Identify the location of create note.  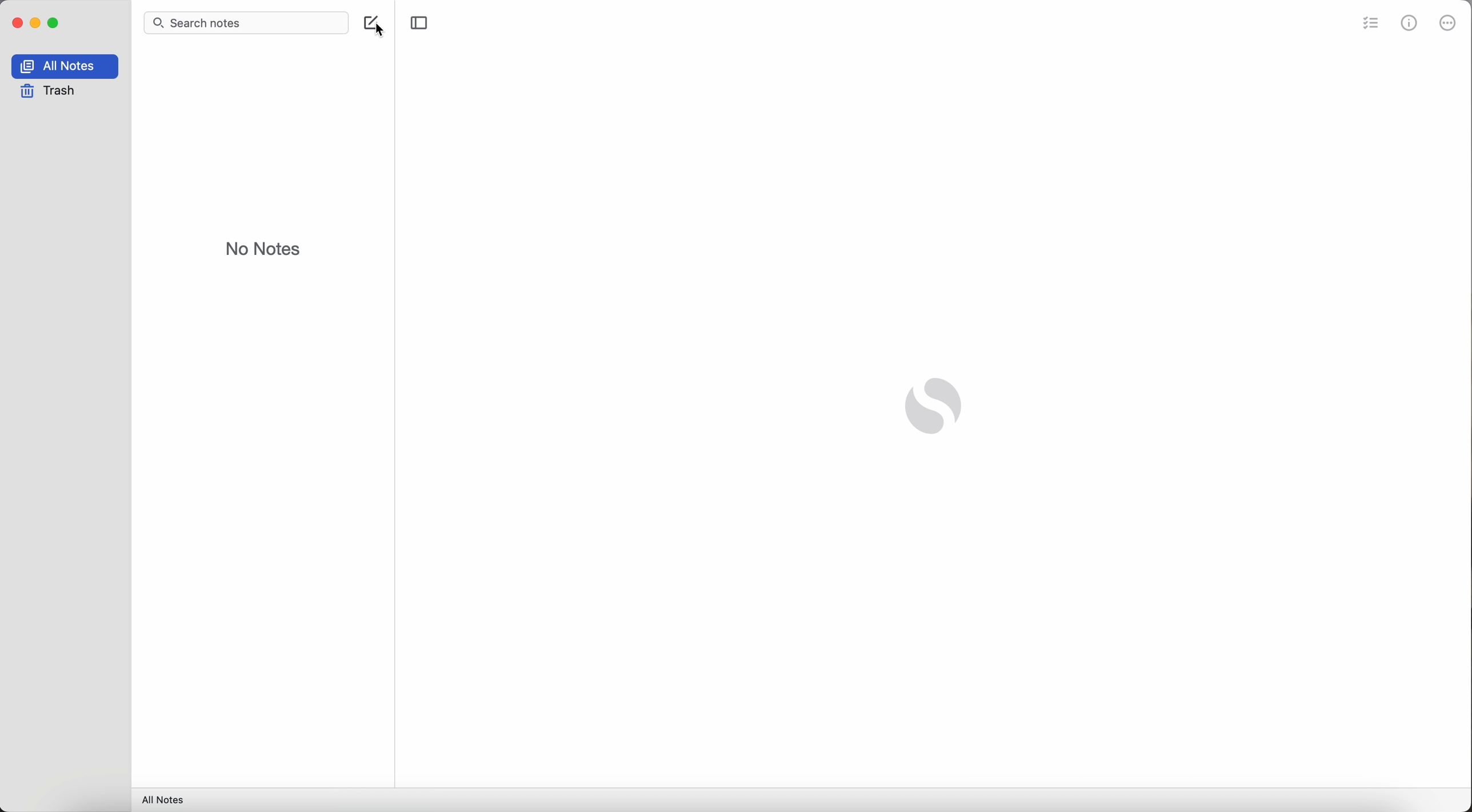
(374, 26).